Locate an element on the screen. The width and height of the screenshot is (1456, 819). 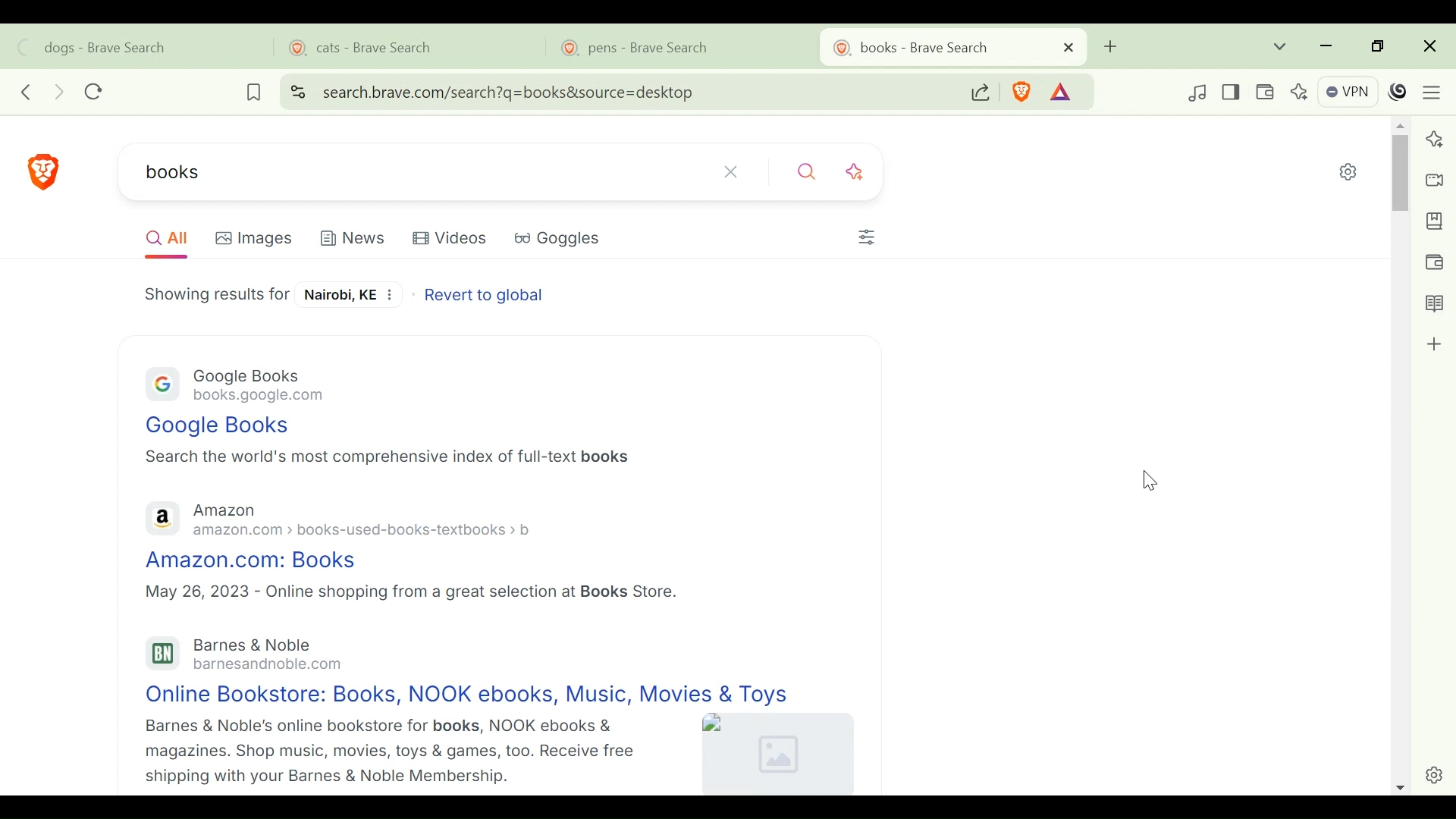
FORWARD is located at coordinates (61, 91).